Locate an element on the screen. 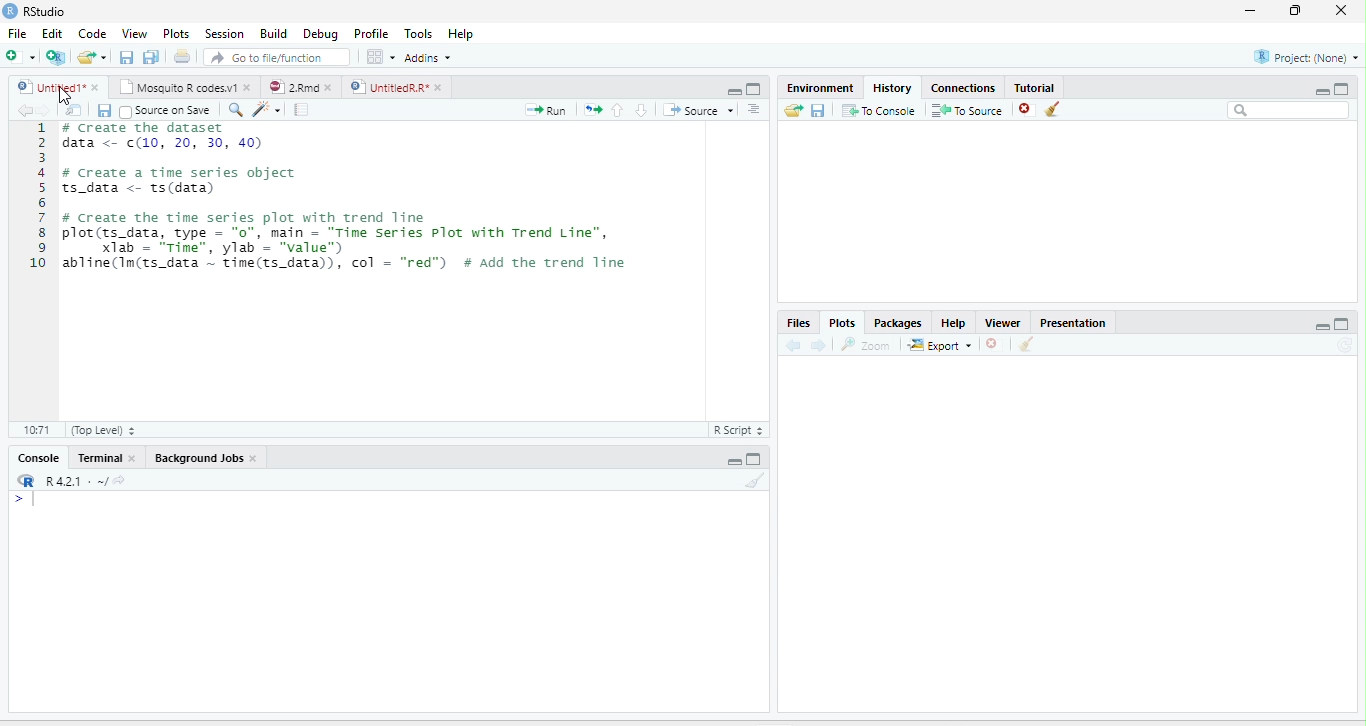  New line is located at coordinates (25, 500).